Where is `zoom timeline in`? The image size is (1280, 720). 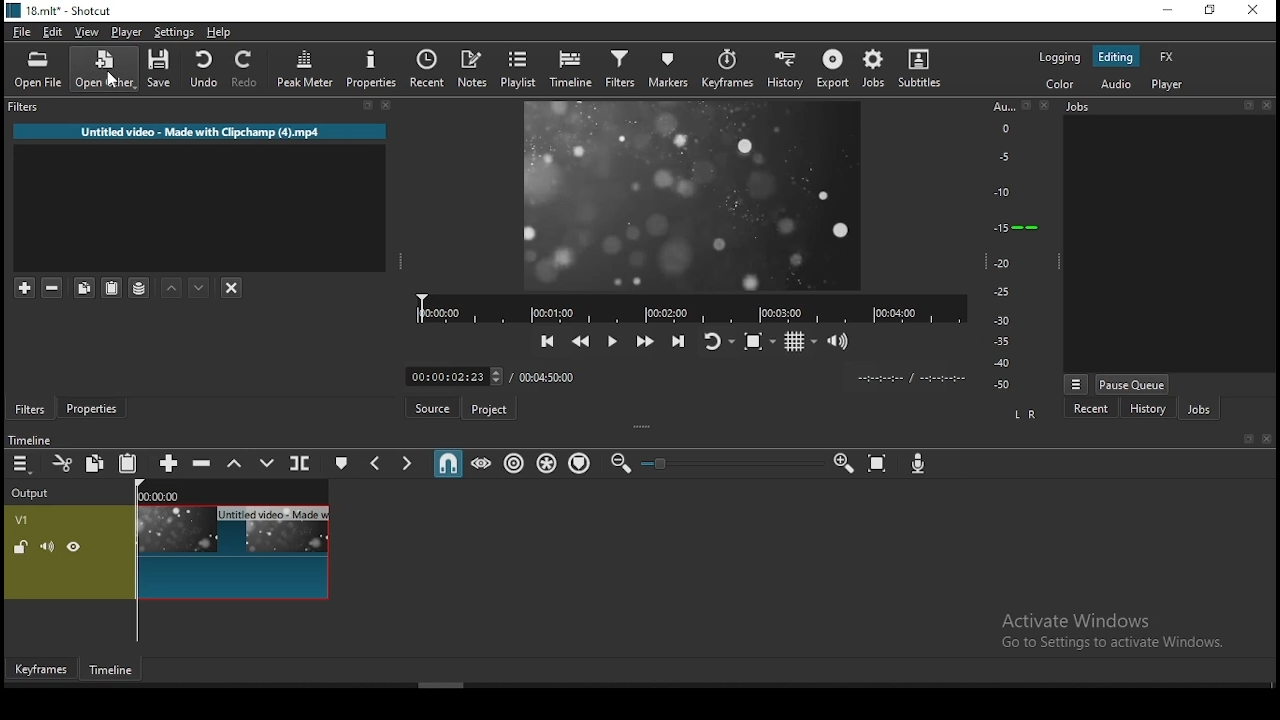
zoom timeline in is located at coordinates (843, 464).